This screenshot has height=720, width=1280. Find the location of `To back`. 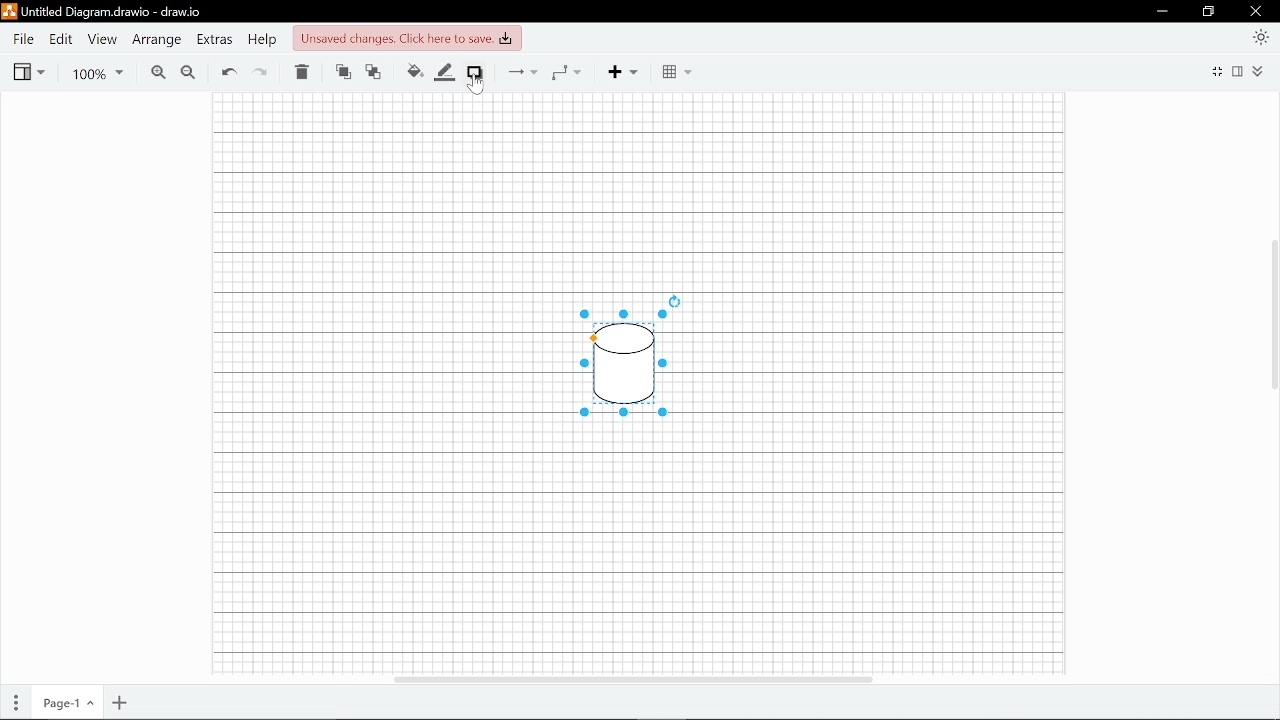

To back is located at coordinates (373, 73).